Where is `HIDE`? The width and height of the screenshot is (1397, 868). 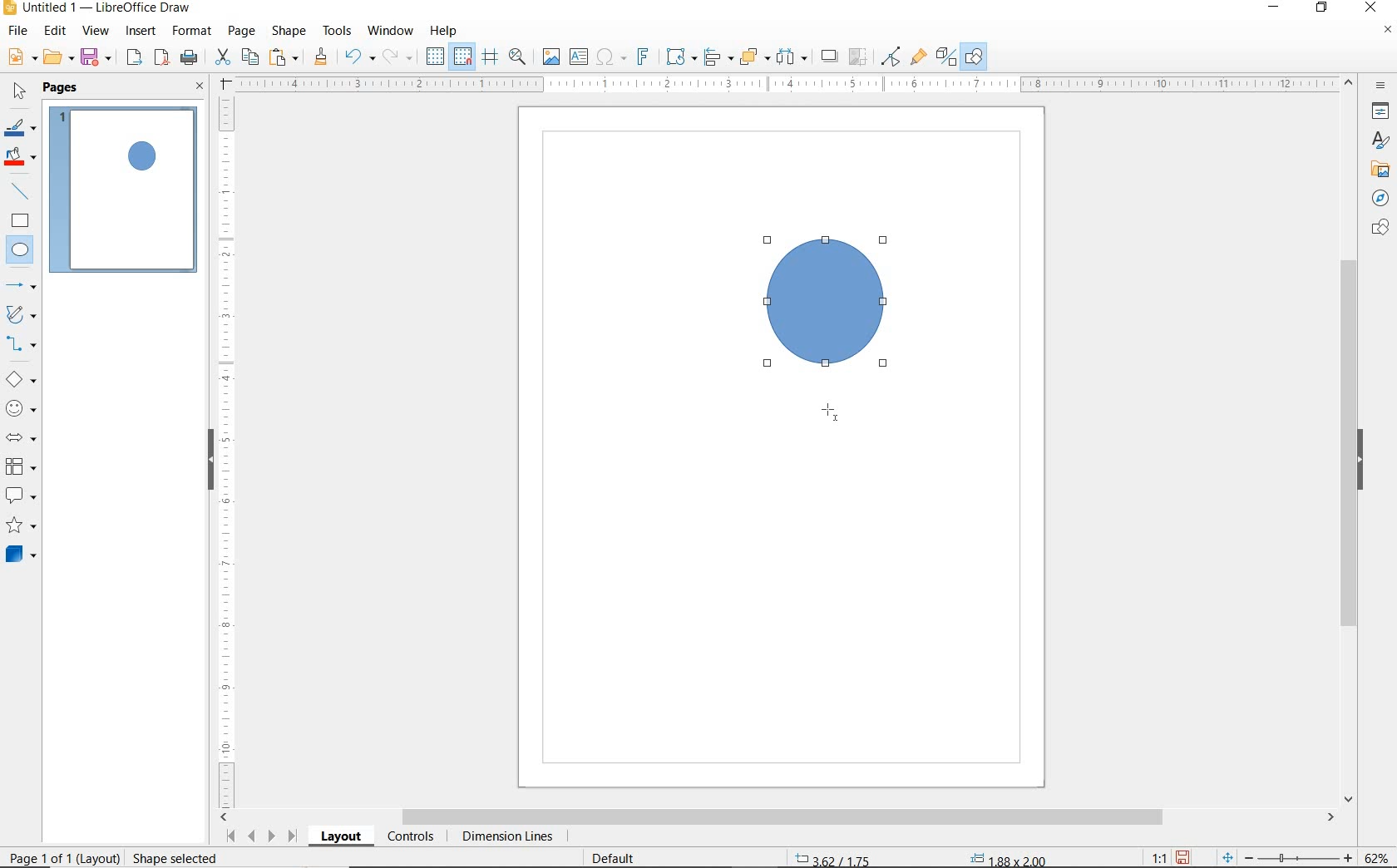
HIDE is located at coordinates (1365, 460).